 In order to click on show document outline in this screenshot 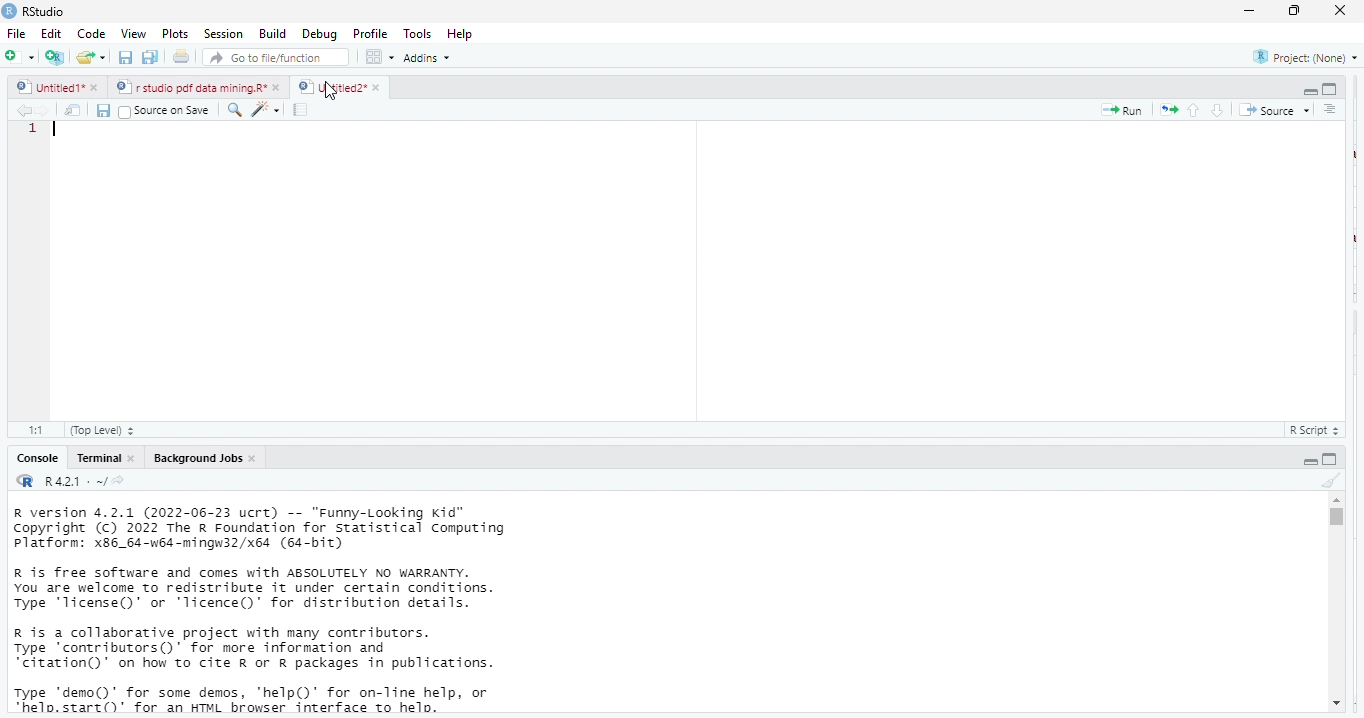, I will do `click(1332, 110)`.